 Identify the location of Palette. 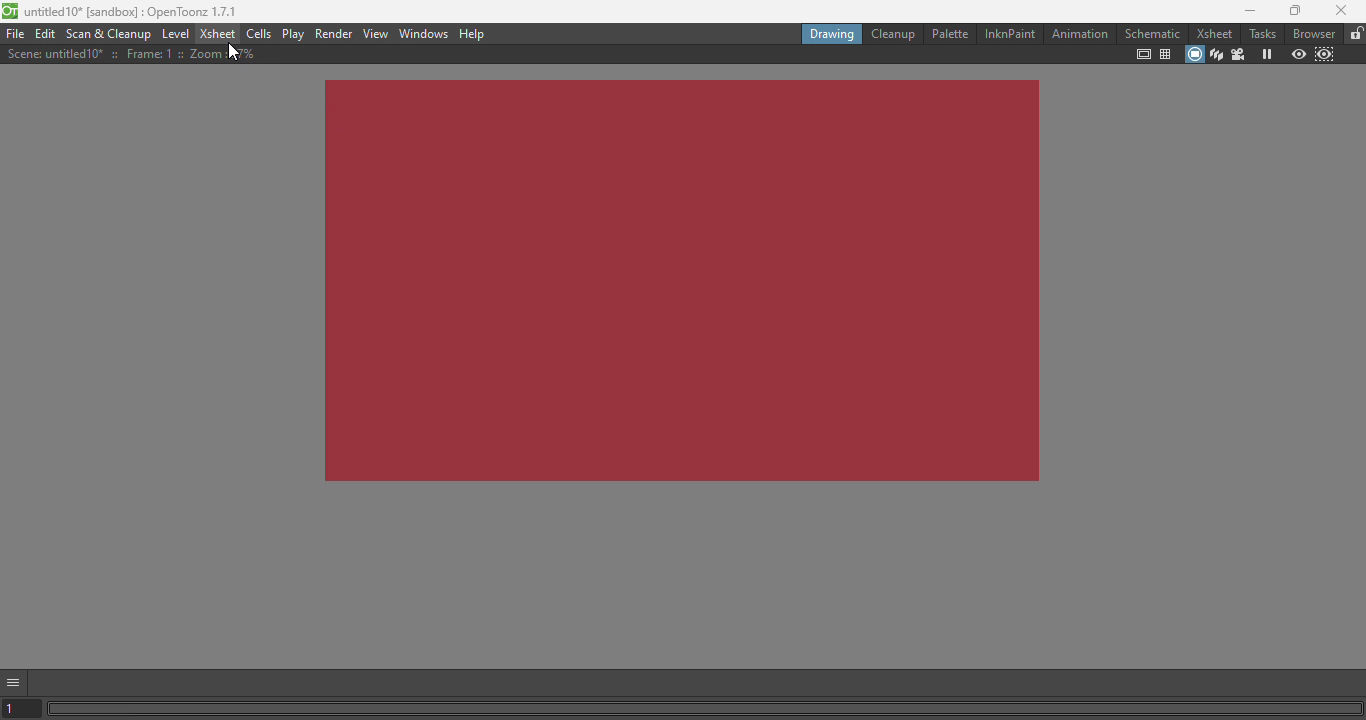
(949, 34).